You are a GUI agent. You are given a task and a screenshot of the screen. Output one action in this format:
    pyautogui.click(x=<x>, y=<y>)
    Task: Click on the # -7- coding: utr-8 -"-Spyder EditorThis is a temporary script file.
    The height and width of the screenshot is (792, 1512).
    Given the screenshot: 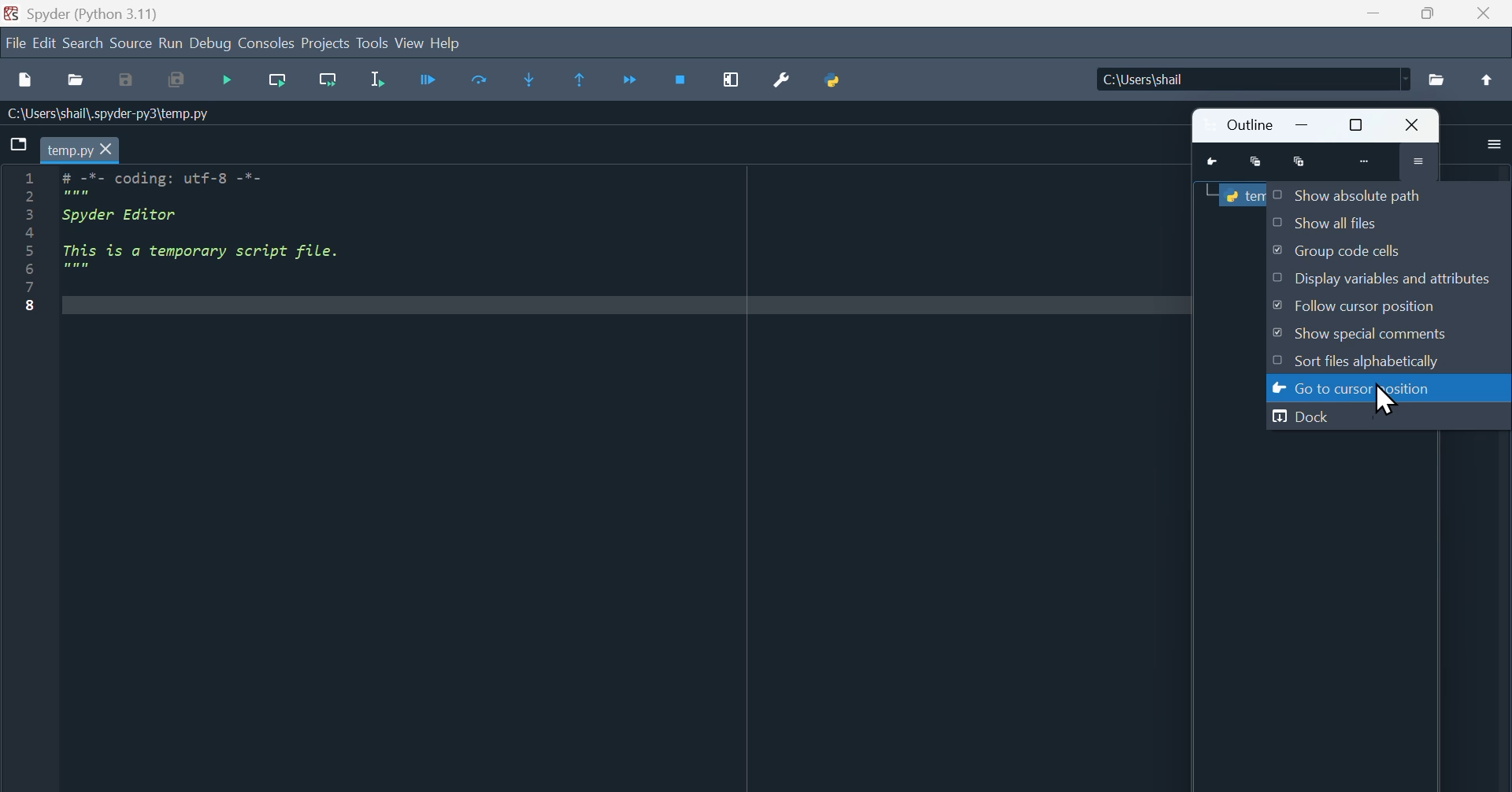 What is the action you would take?
    pyautogui.click(x=227, y=230)
    